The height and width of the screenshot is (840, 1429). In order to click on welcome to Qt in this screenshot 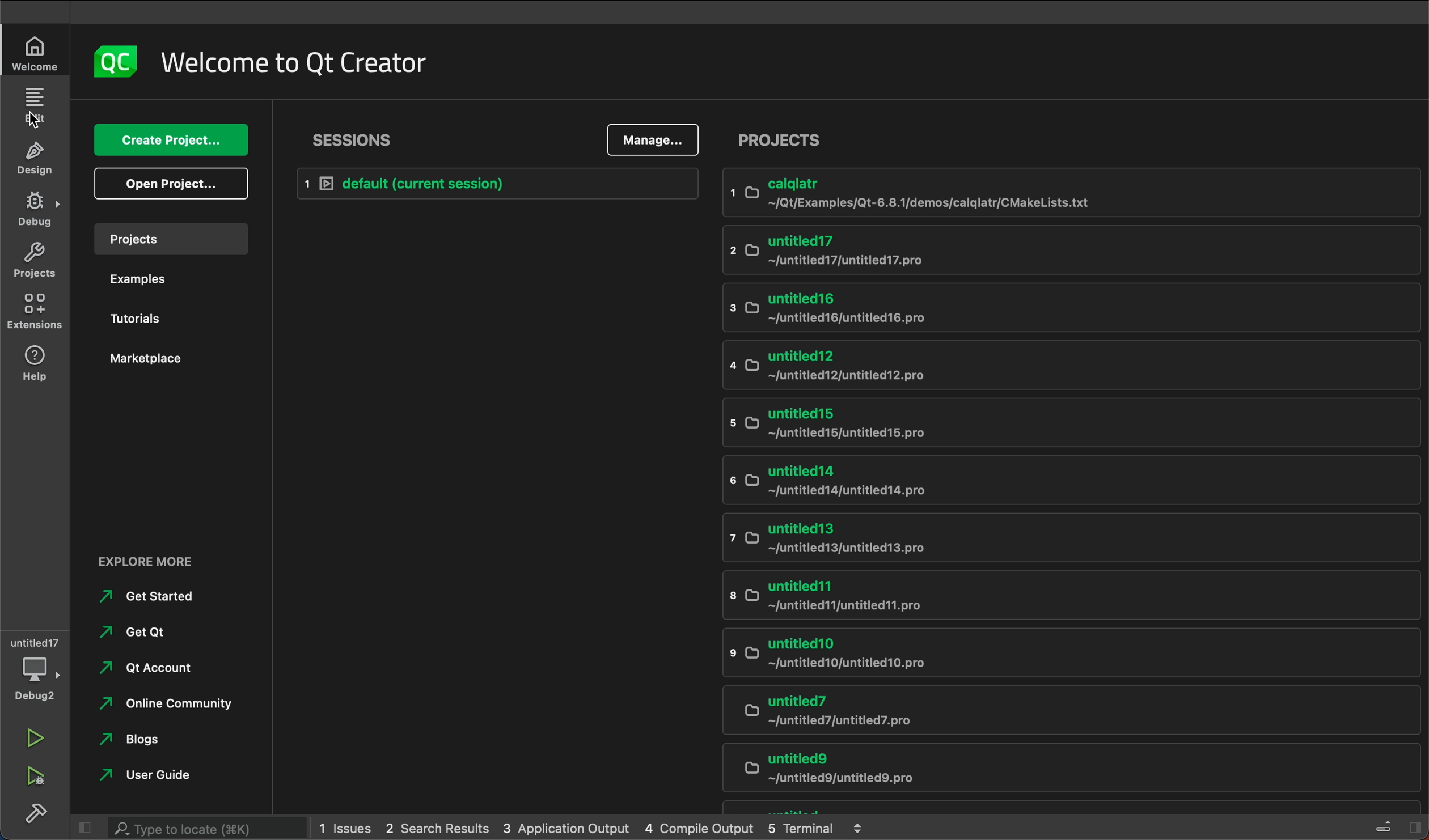, I will do `click(297, 62)`.